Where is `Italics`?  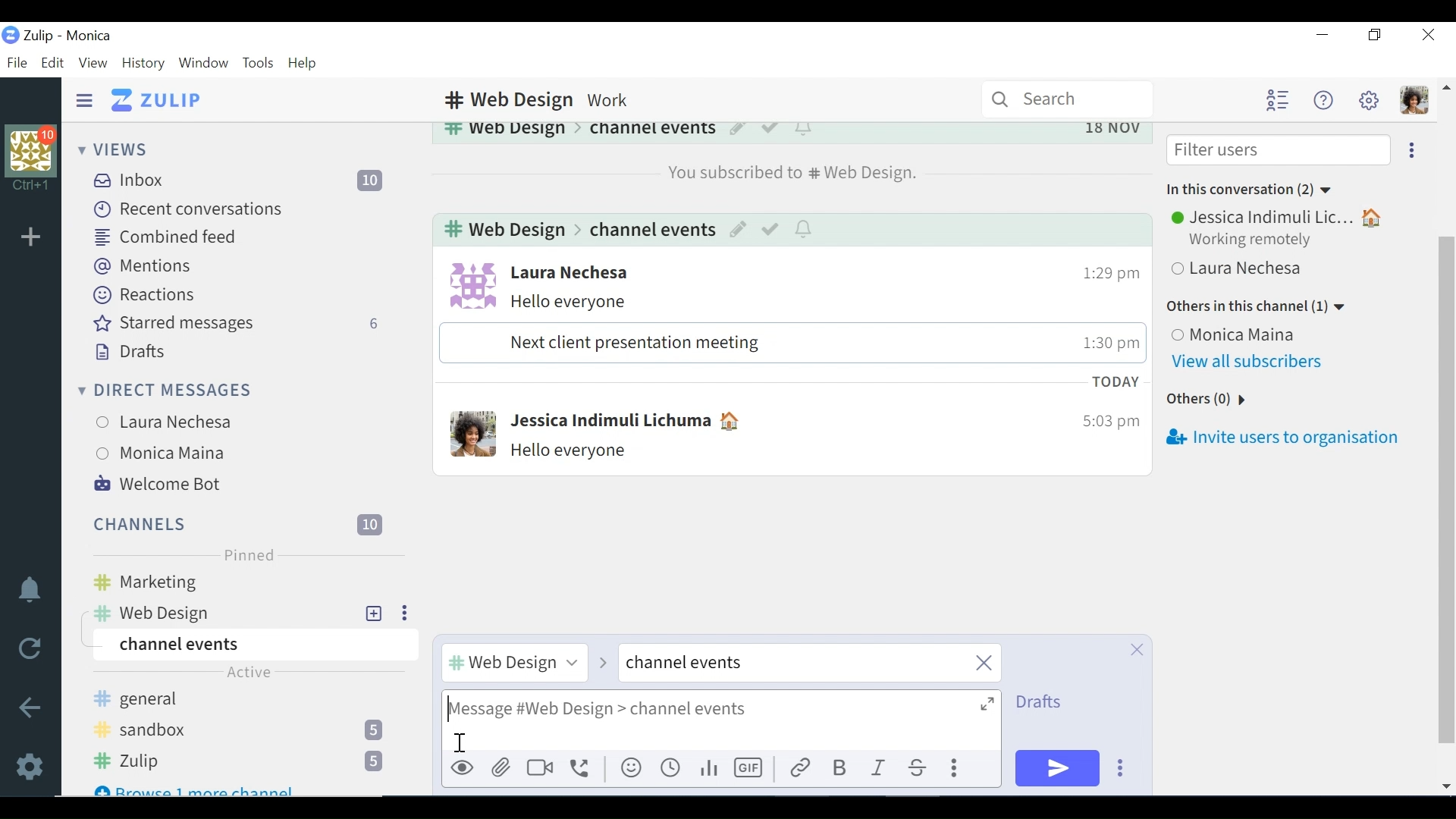
Italics is located at coordinates (880, 769).